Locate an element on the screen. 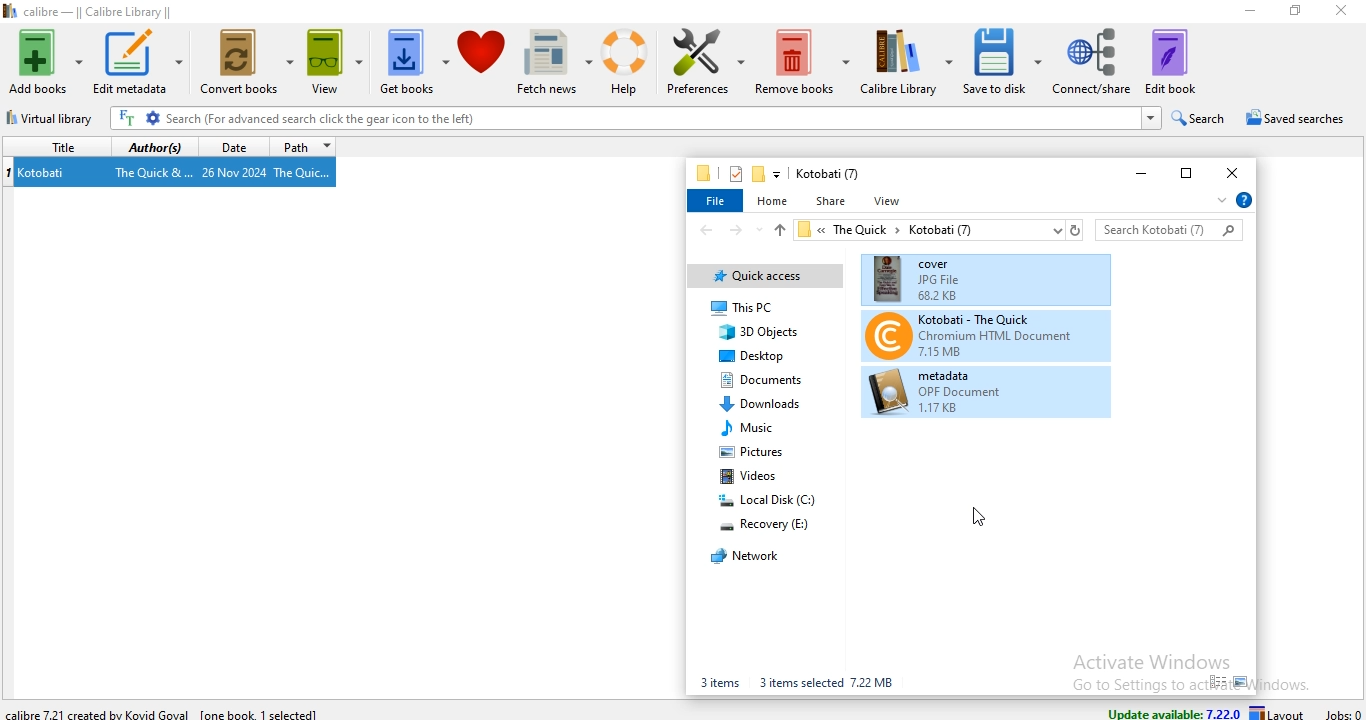  Downloads is located at coordinates (760, 402).